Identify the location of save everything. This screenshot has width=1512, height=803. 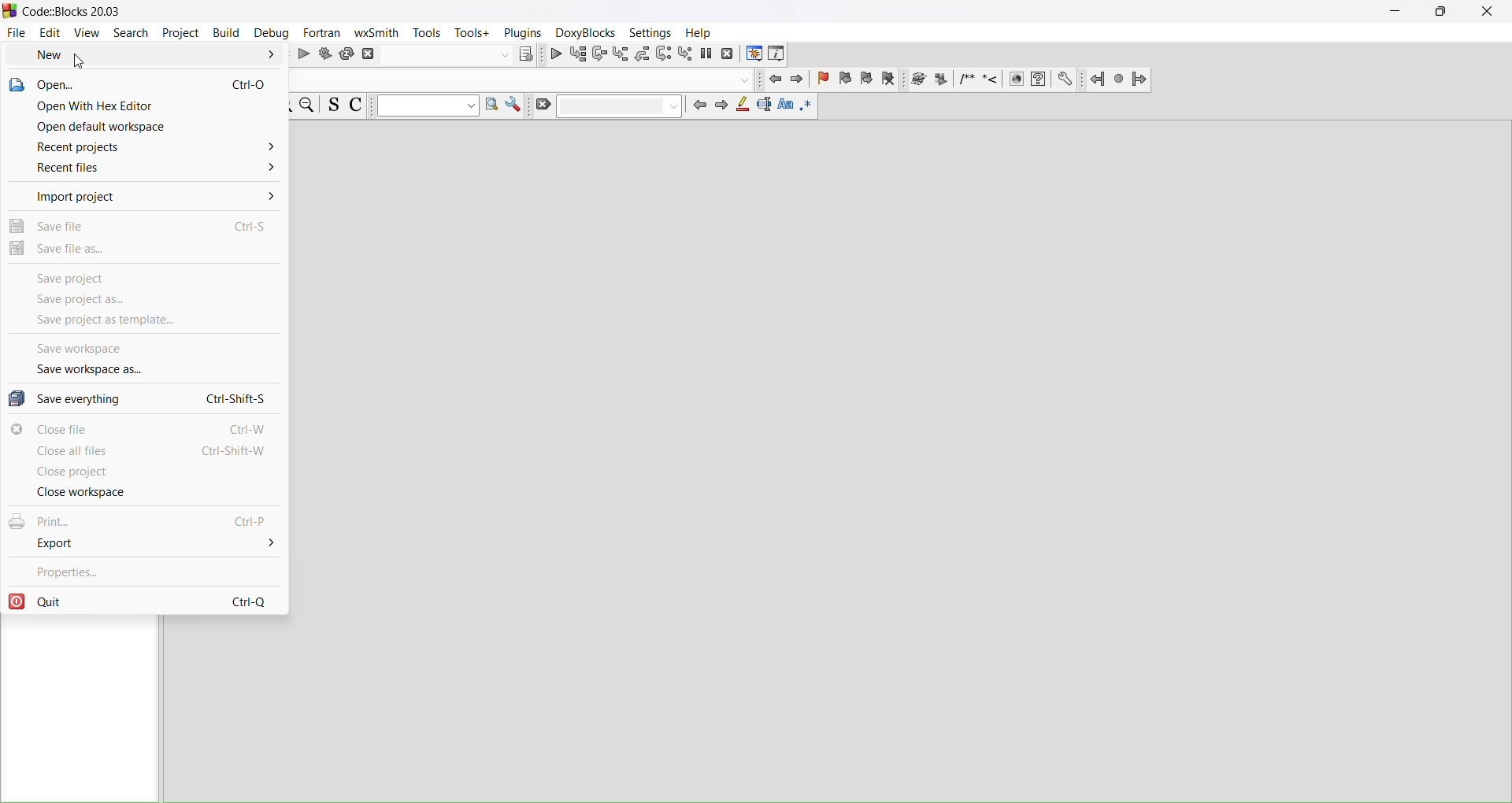
(145, 399).